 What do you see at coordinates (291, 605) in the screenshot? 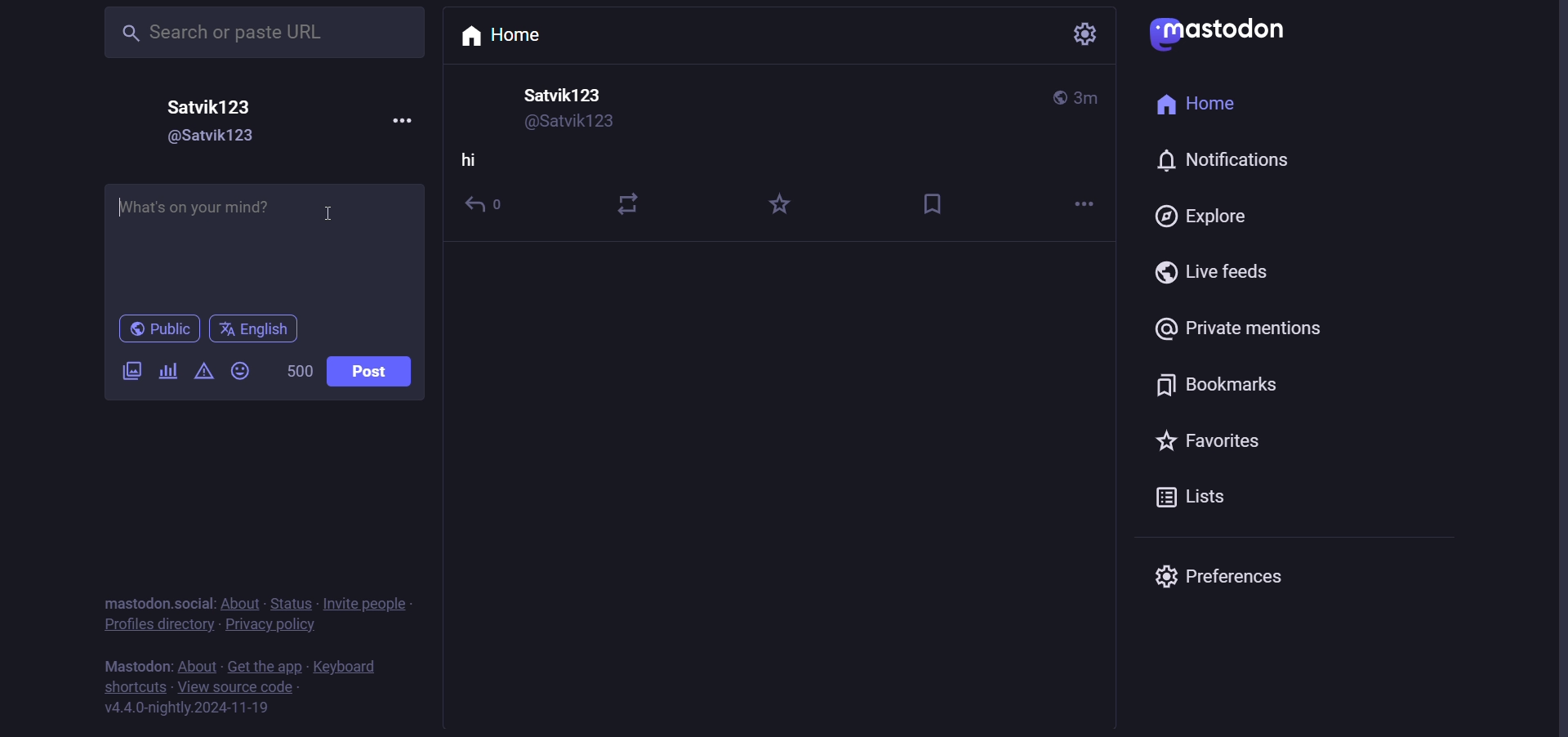
I see `status` at bounding box center [291, 605].